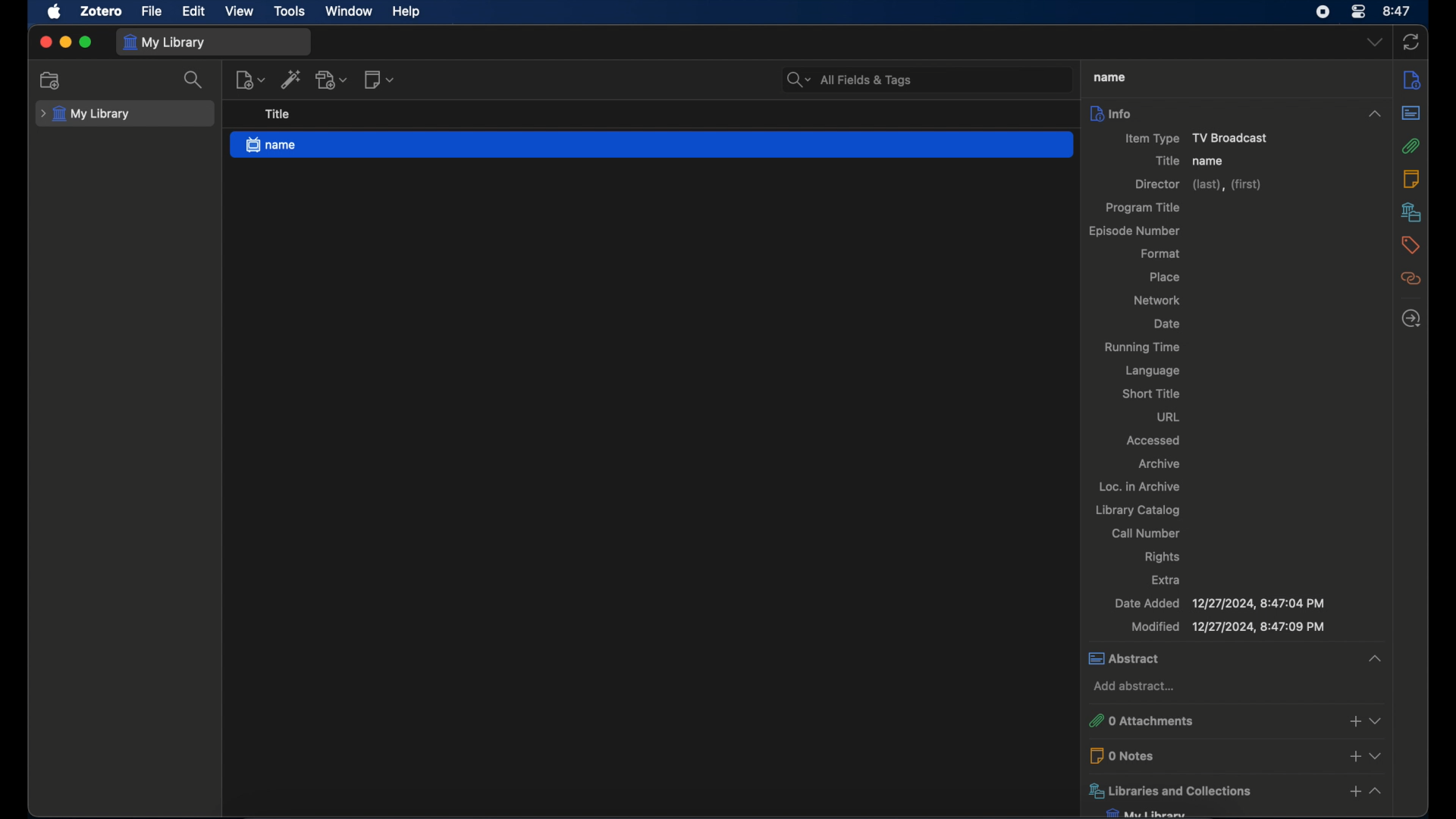  Describe the element at coordinates (290, 11) in the screenshot. I see `tools` at that location.